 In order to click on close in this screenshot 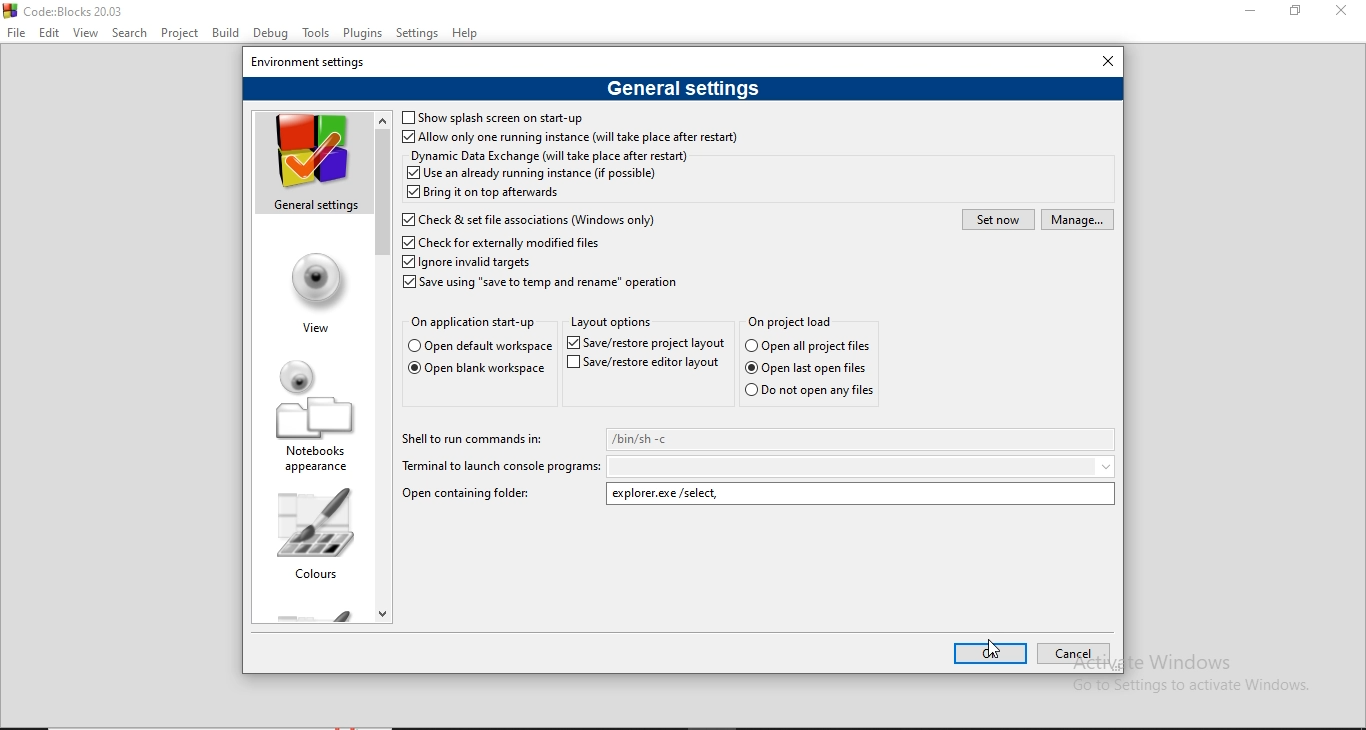, I will do `click(1107, 60)`.